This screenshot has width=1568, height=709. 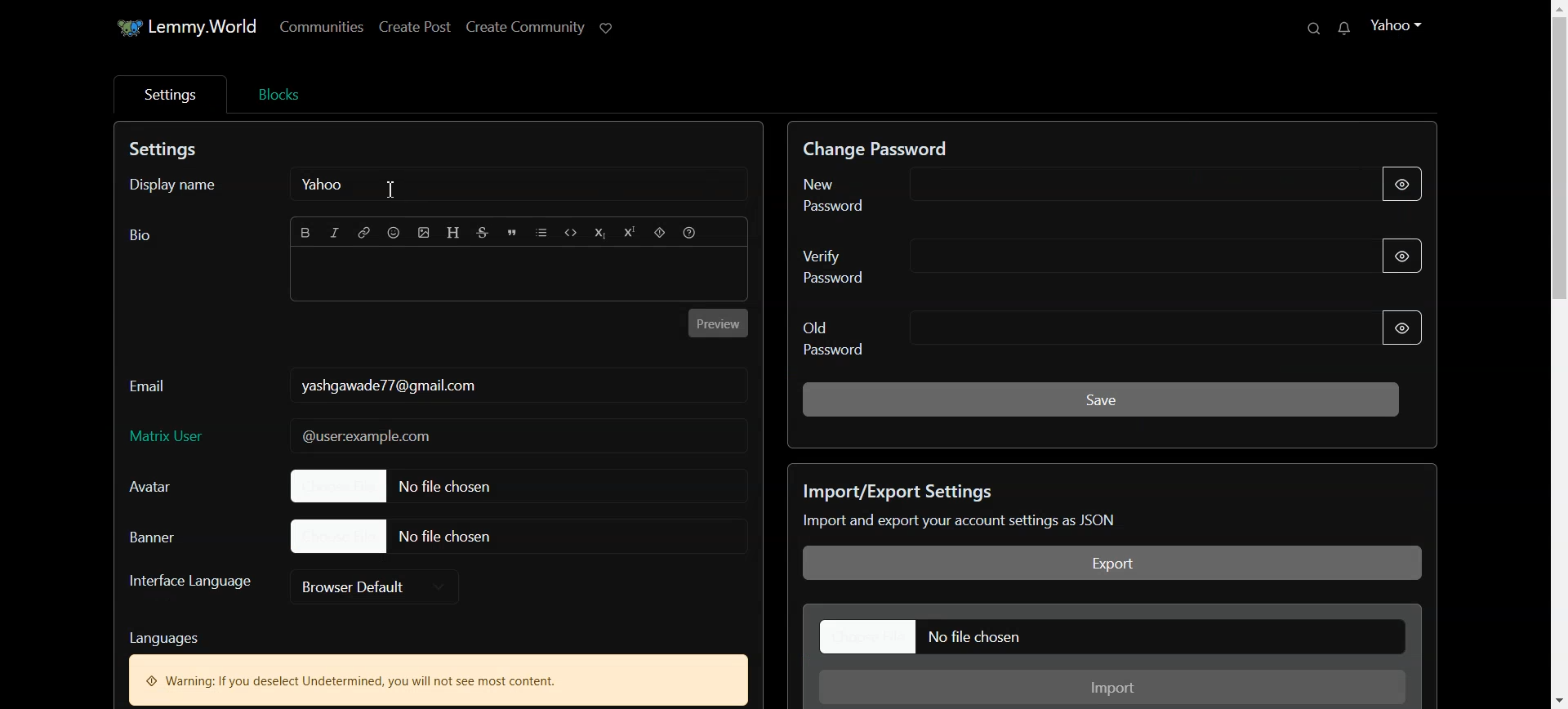 I want to click on Typing window, so click(x=519, y=277).